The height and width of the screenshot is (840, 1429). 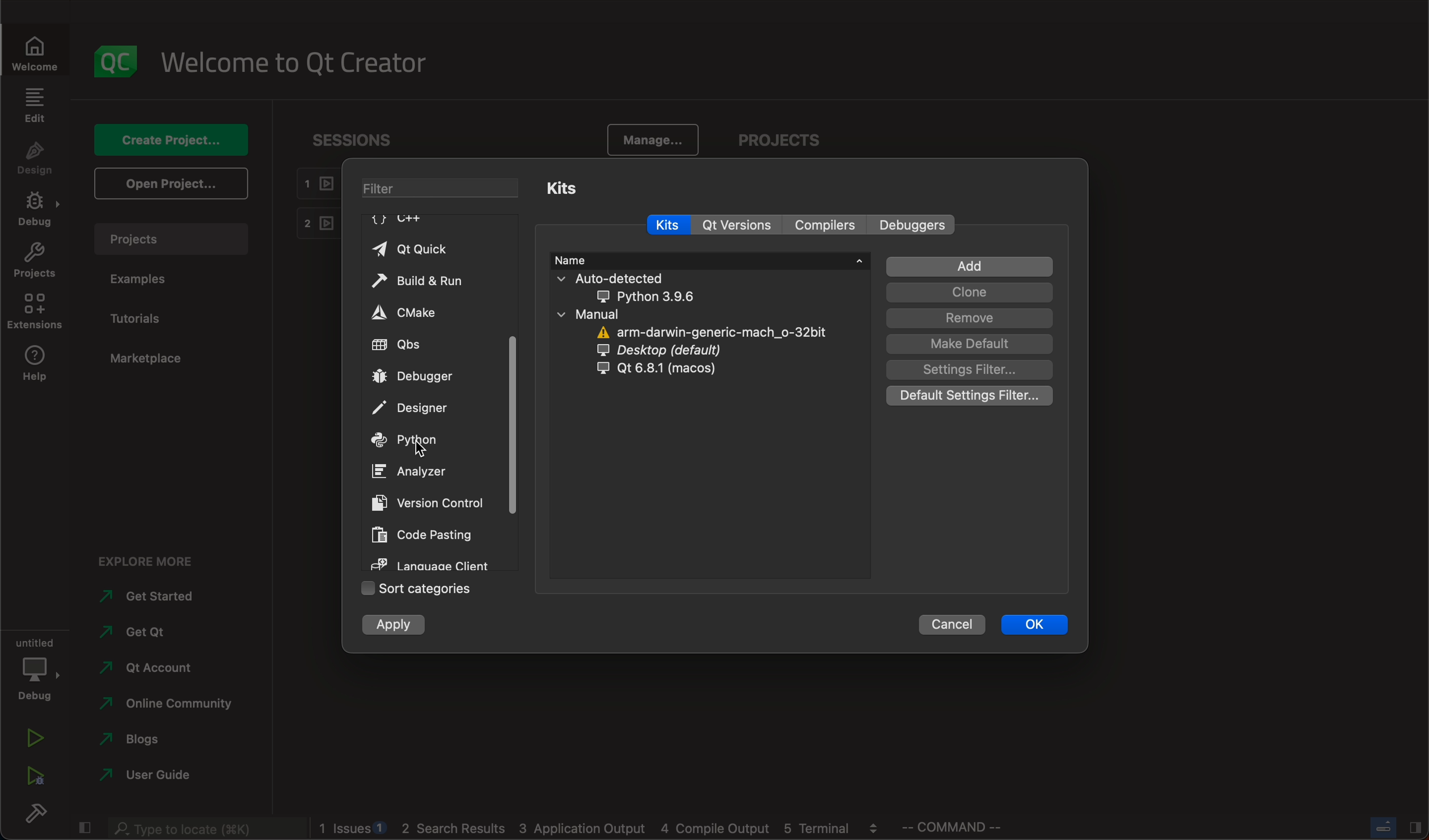 What do you see at coordinates (425, 278) in the screenshot?
I see `build and run` at bounding box center [425, 278].